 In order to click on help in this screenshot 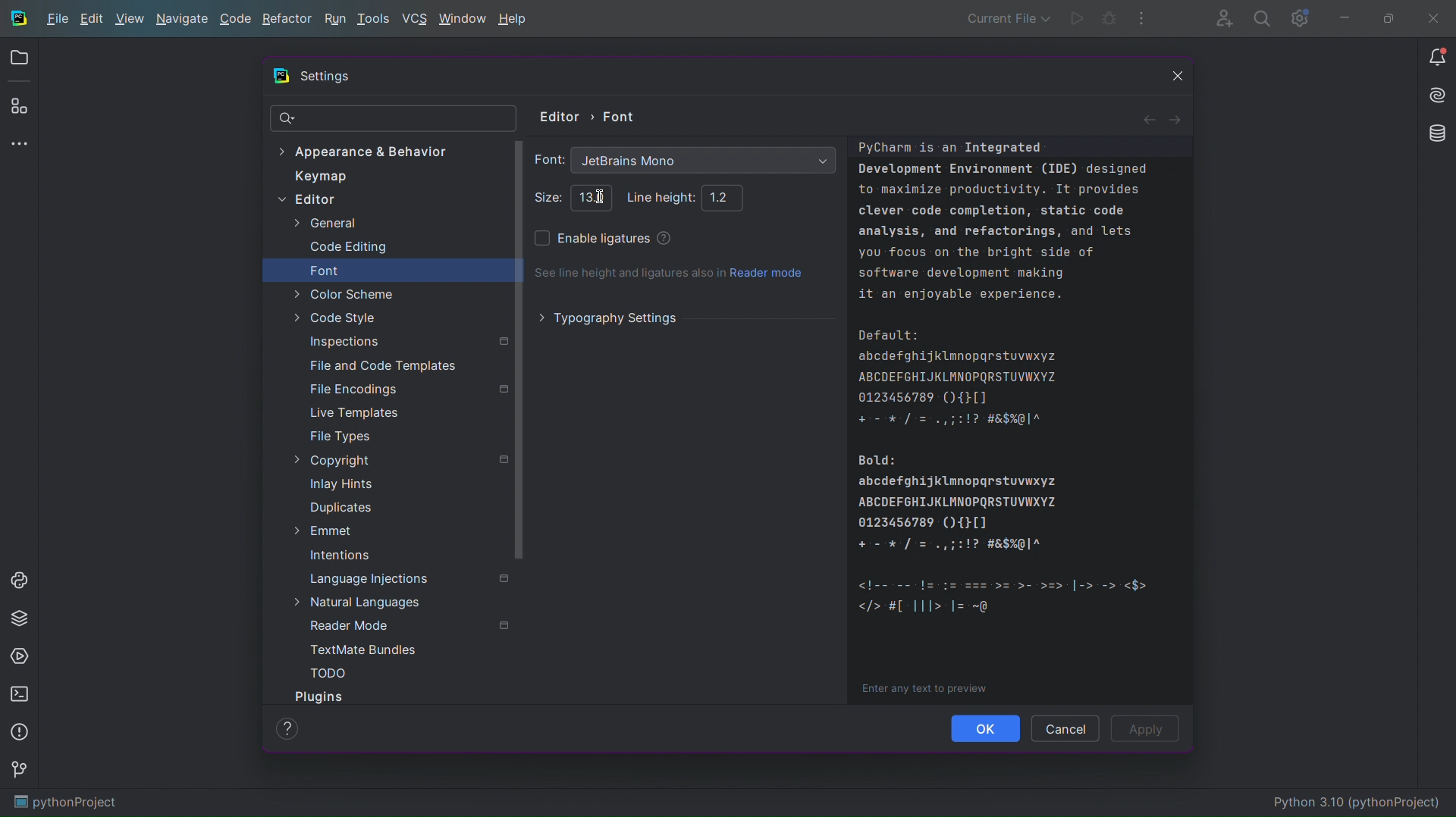, I will do `click(663, 236)`.